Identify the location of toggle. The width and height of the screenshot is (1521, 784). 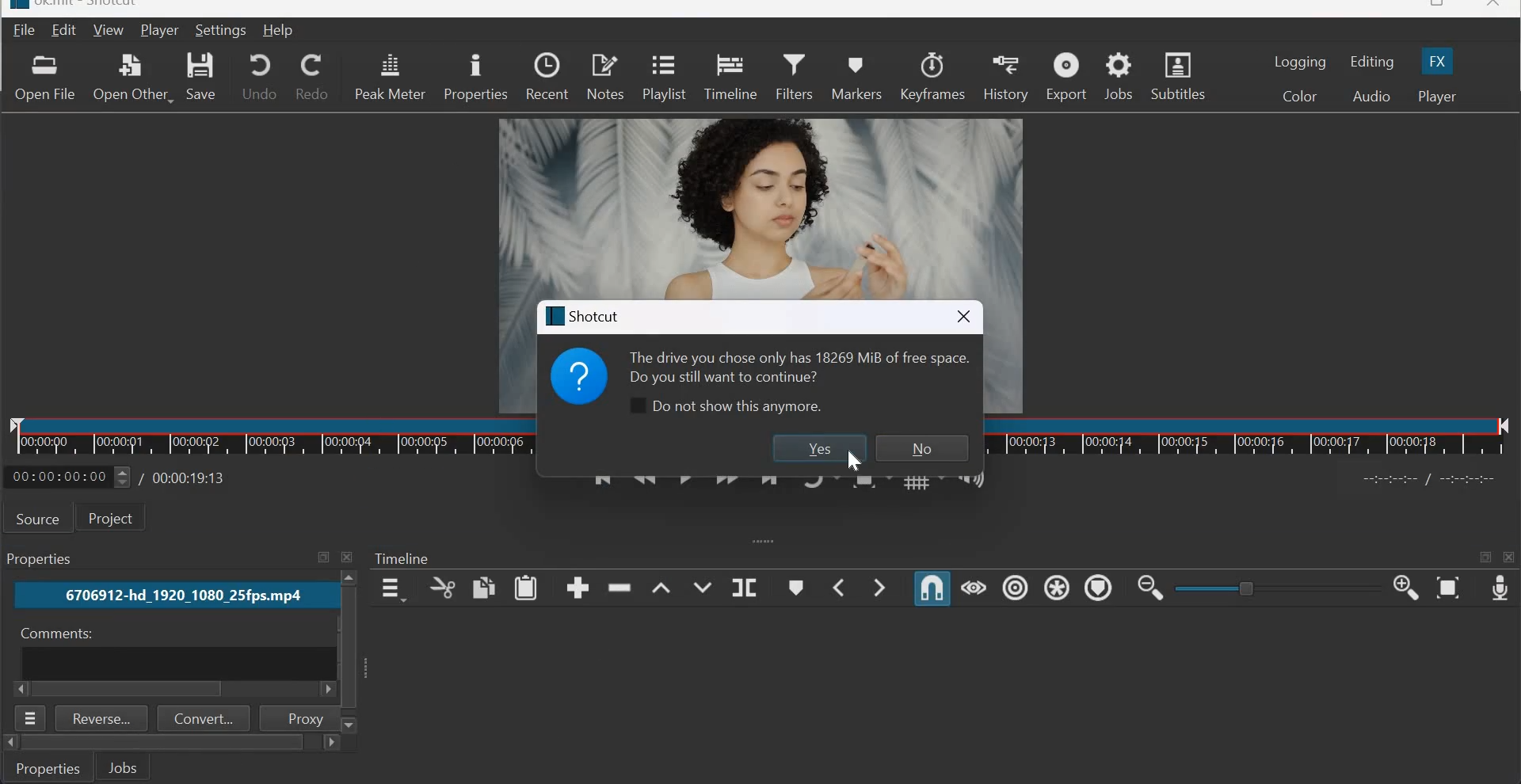
(1248, 588).